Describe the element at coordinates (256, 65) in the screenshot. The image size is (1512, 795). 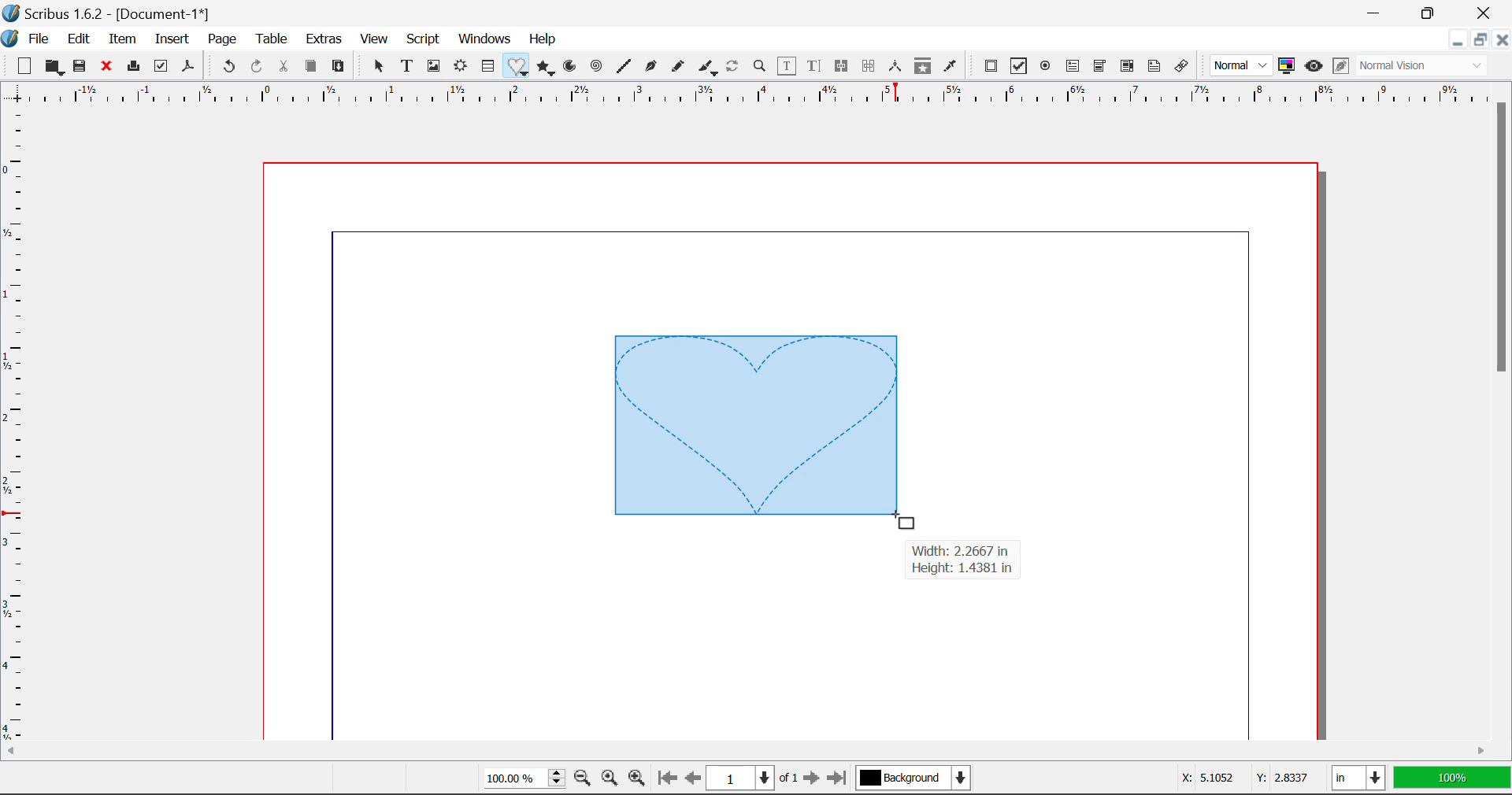
I see `Redo` at that location.